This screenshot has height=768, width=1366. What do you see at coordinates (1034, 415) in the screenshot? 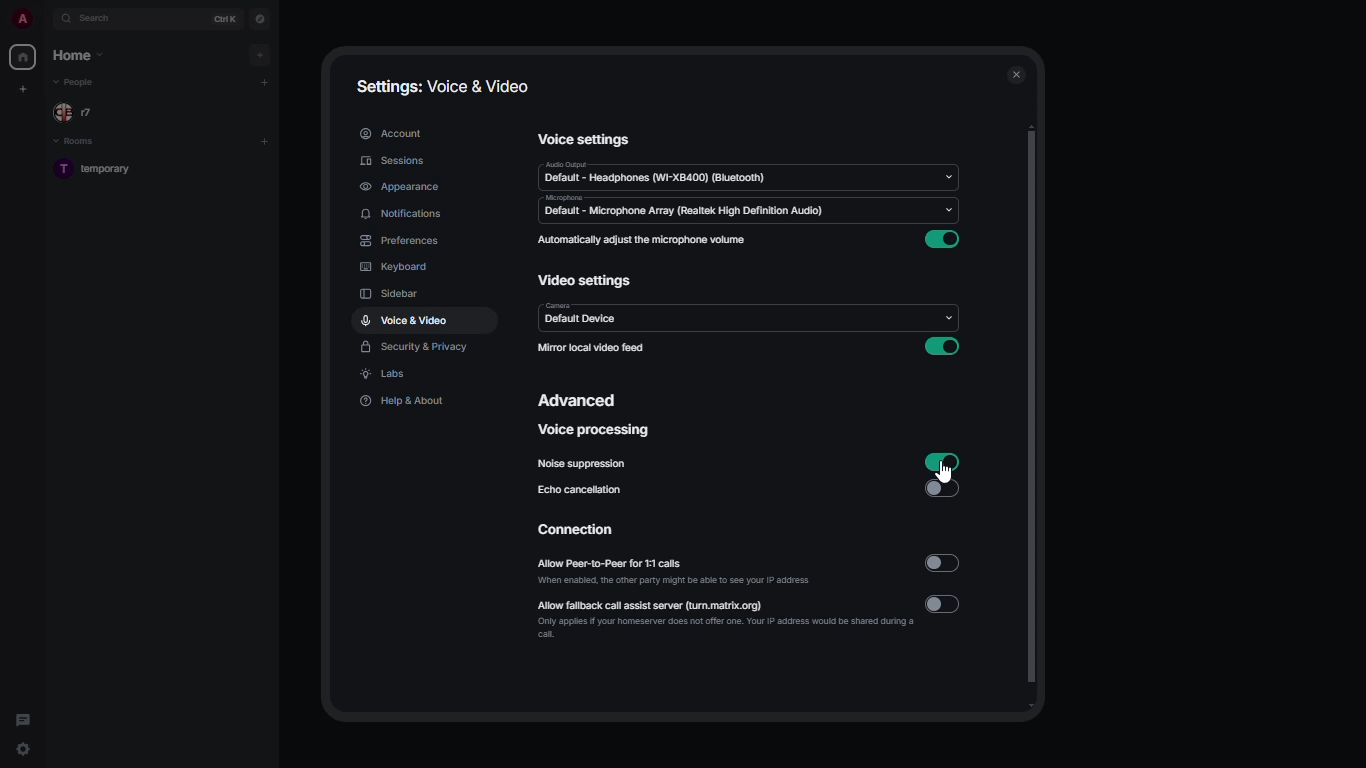
I see `scroll bar` at bounding box center [1034, 415].